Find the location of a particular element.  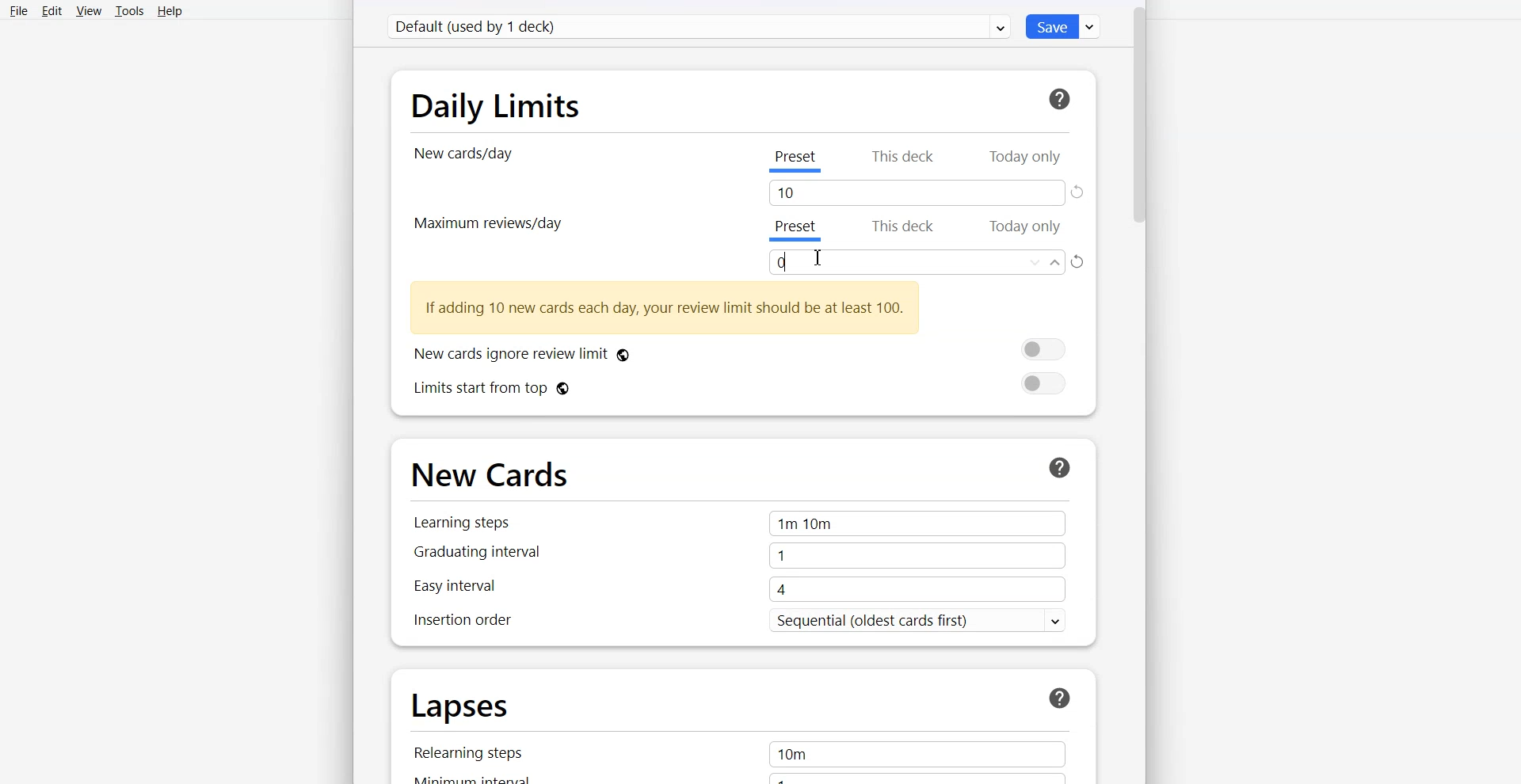

Limits start from top  is located at coordinates (740, 386).